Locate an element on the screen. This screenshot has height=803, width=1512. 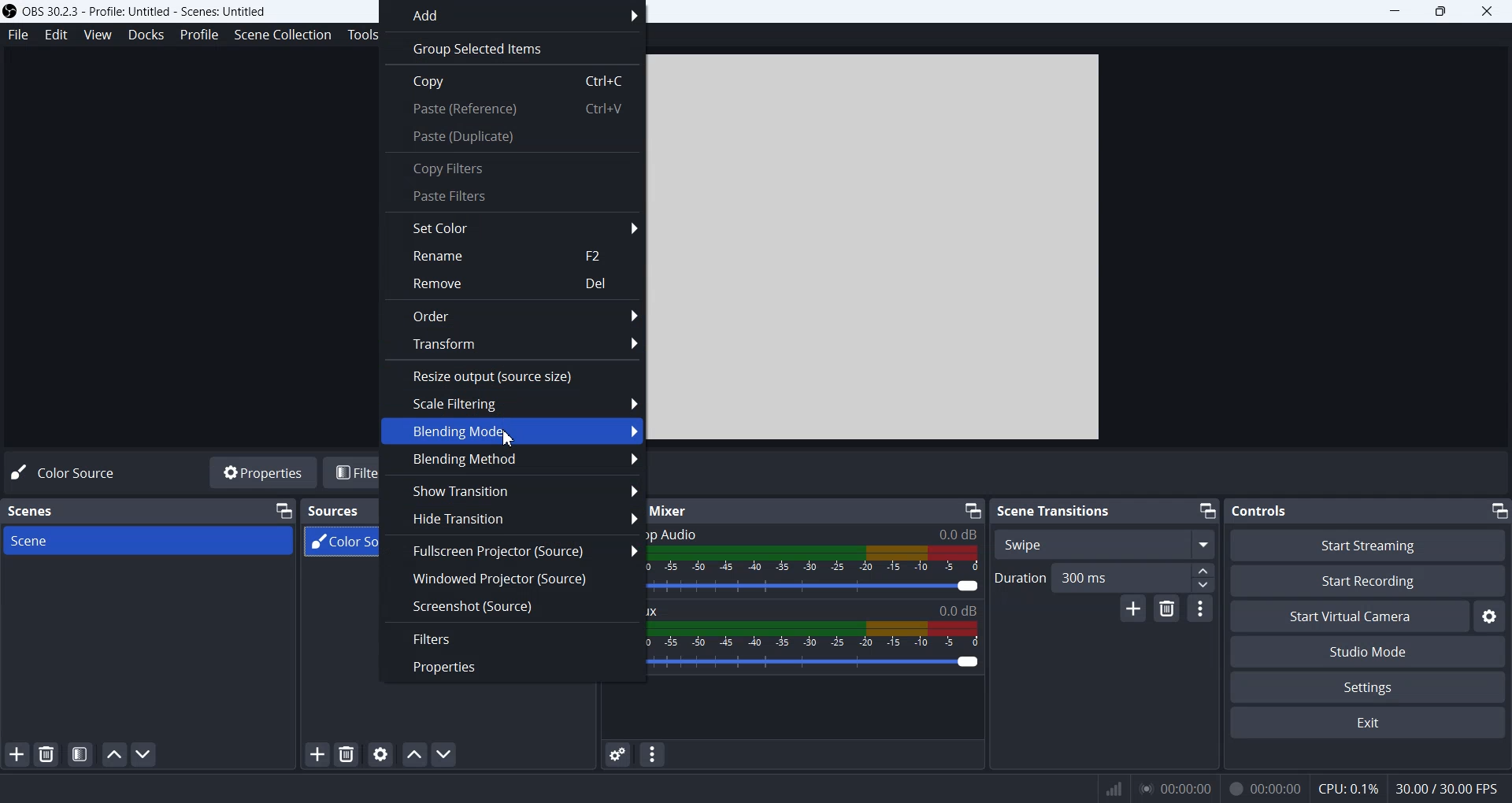
Order is located at coordinates (513, 315).